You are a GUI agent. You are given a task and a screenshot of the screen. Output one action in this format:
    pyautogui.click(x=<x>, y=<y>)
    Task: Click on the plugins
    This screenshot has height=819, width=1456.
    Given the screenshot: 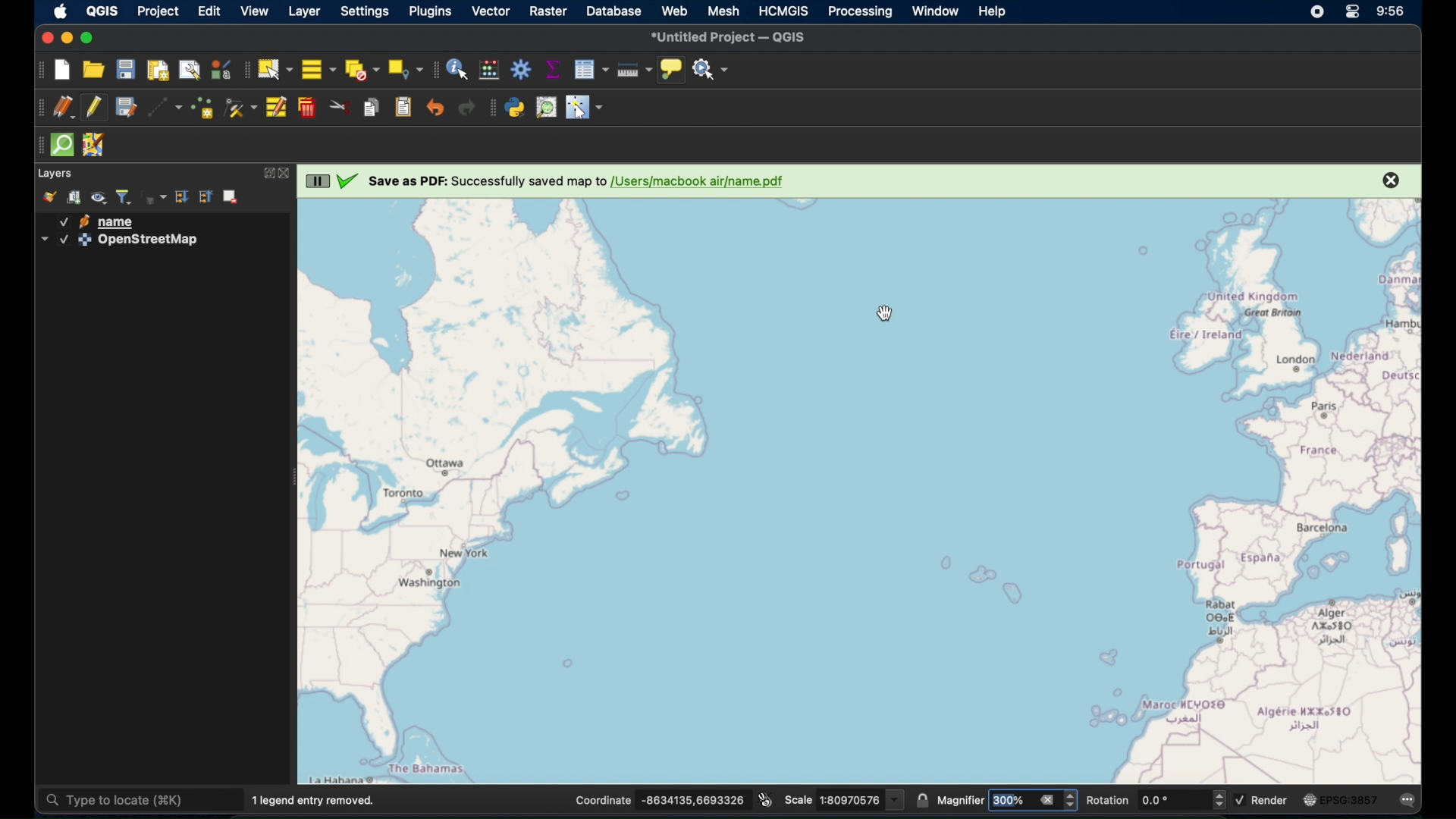 What is the action you would take?
    pyautogui.click(x=432, y=13)
    